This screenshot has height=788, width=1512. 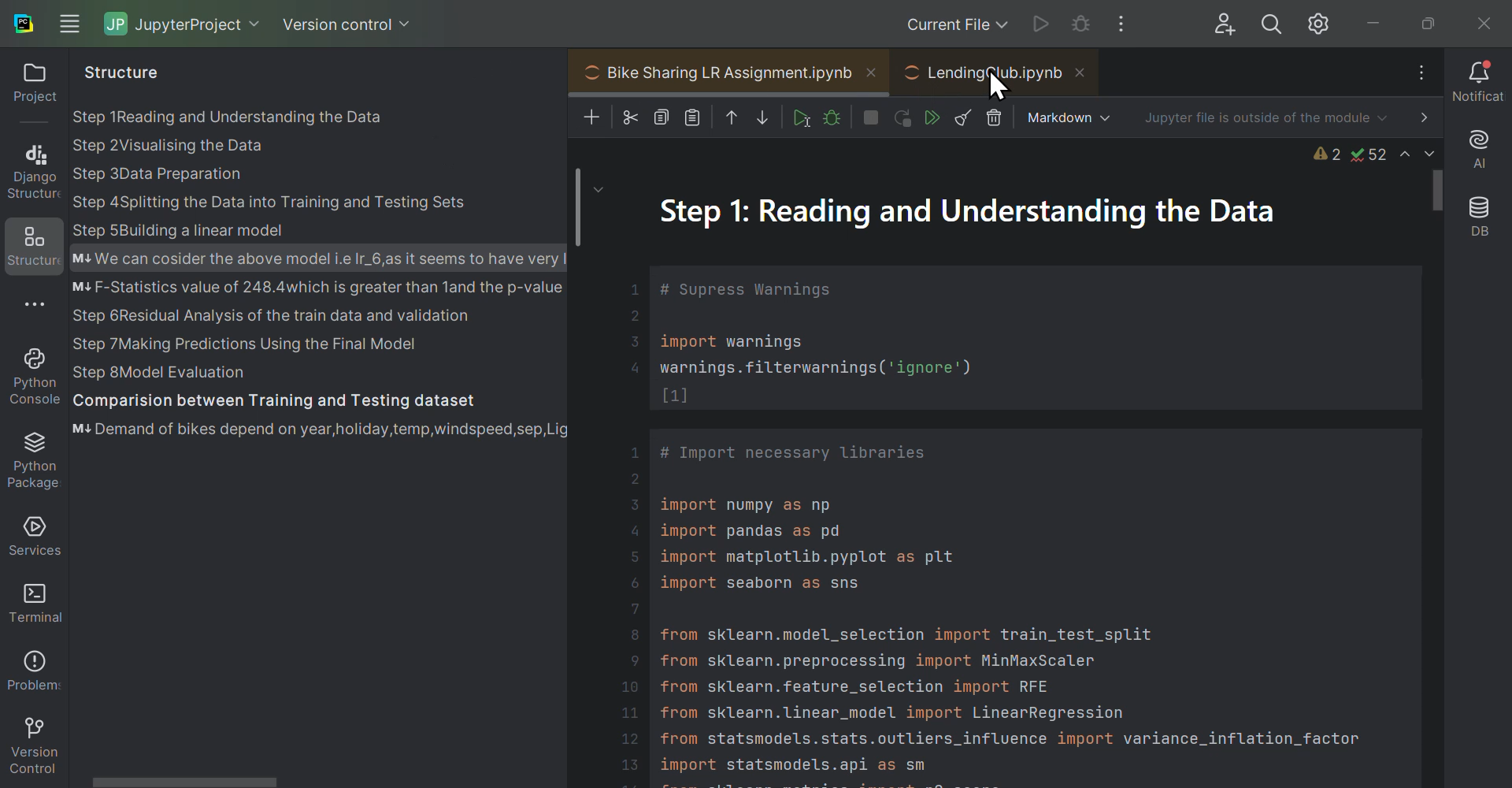 What do you see at coordinates (324, 314) in the screenshot?
I see `Structure of project one` at bounding box center [324, 314].